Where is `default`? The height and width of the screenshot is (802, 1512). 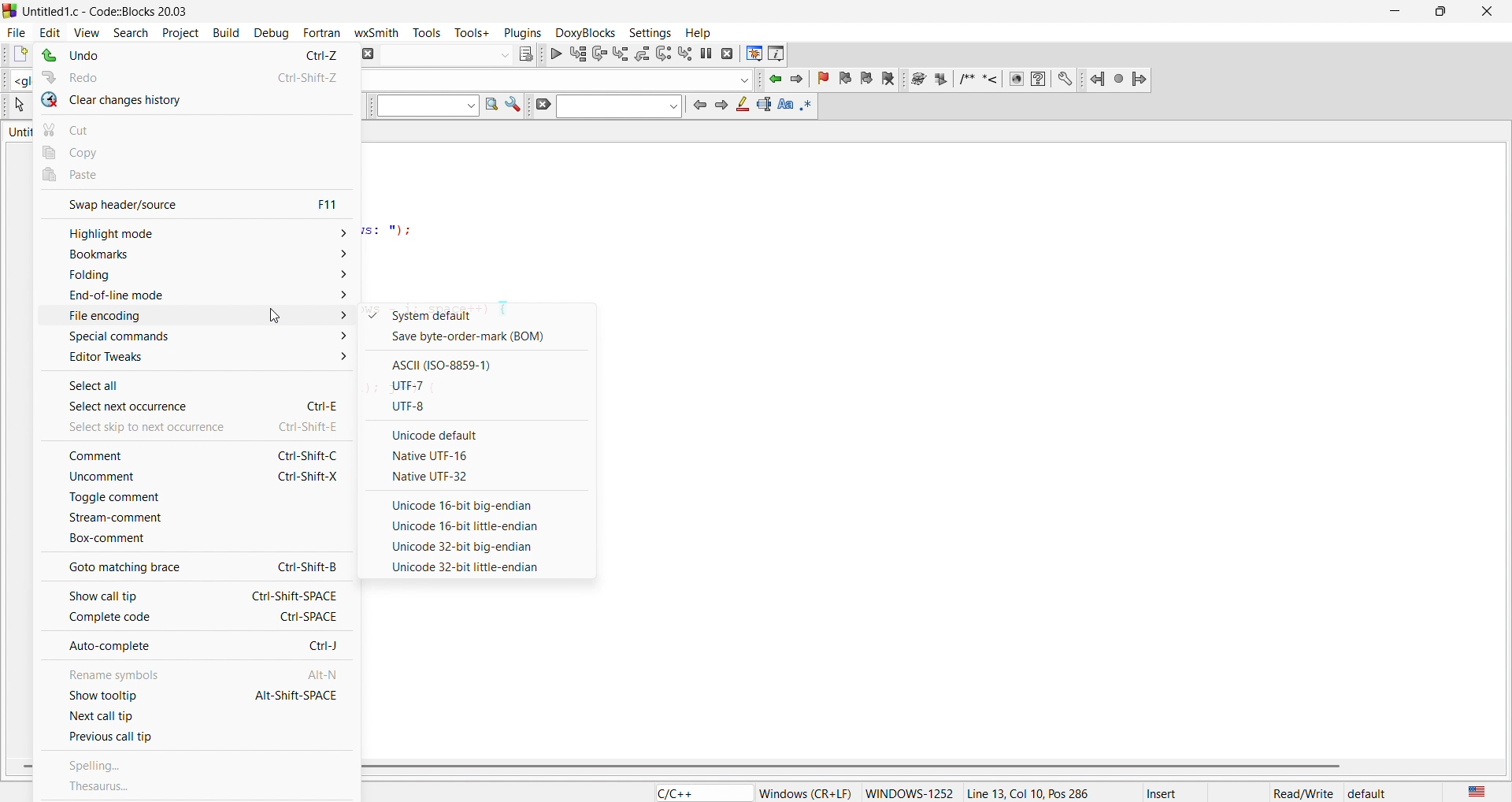 default is located at coordinates (1368, 793).